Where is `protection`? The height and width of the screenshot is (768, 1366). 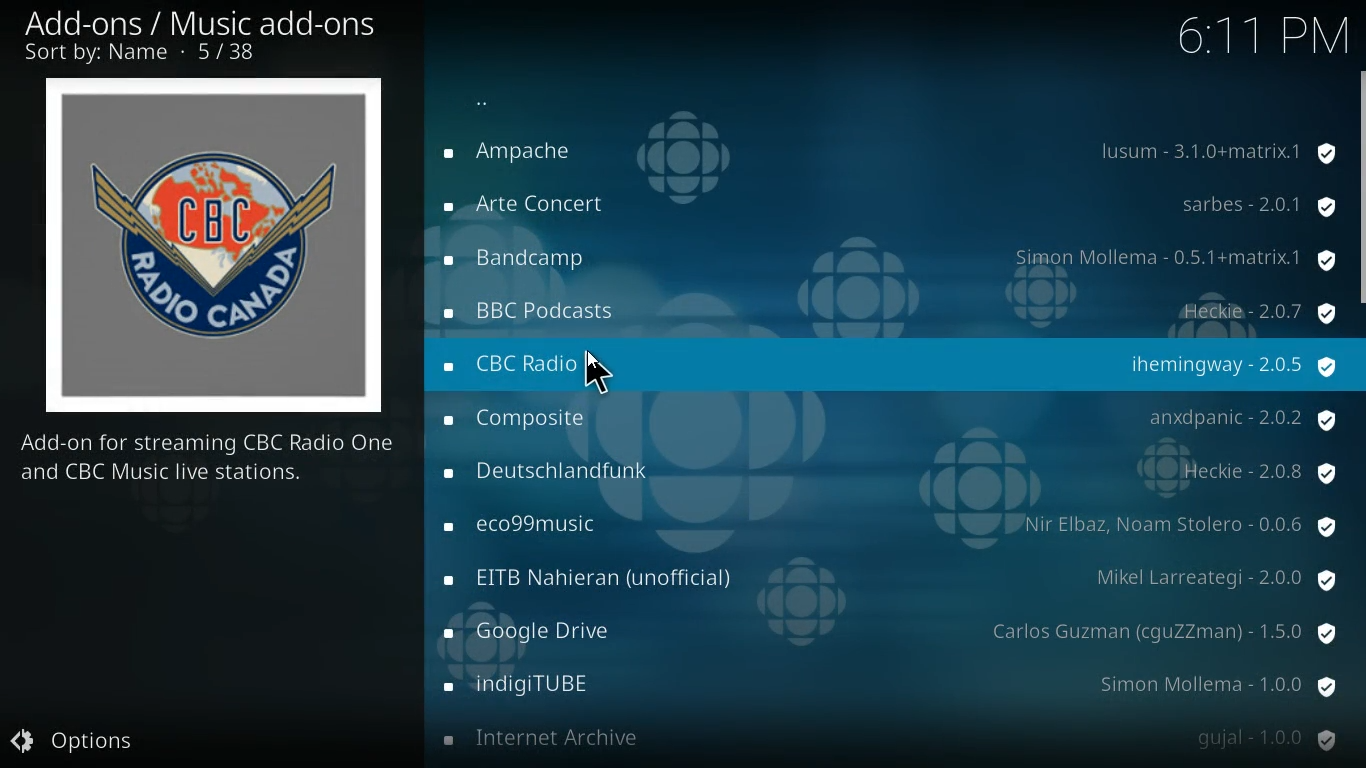
protection is located at coordinates (1167, 528).